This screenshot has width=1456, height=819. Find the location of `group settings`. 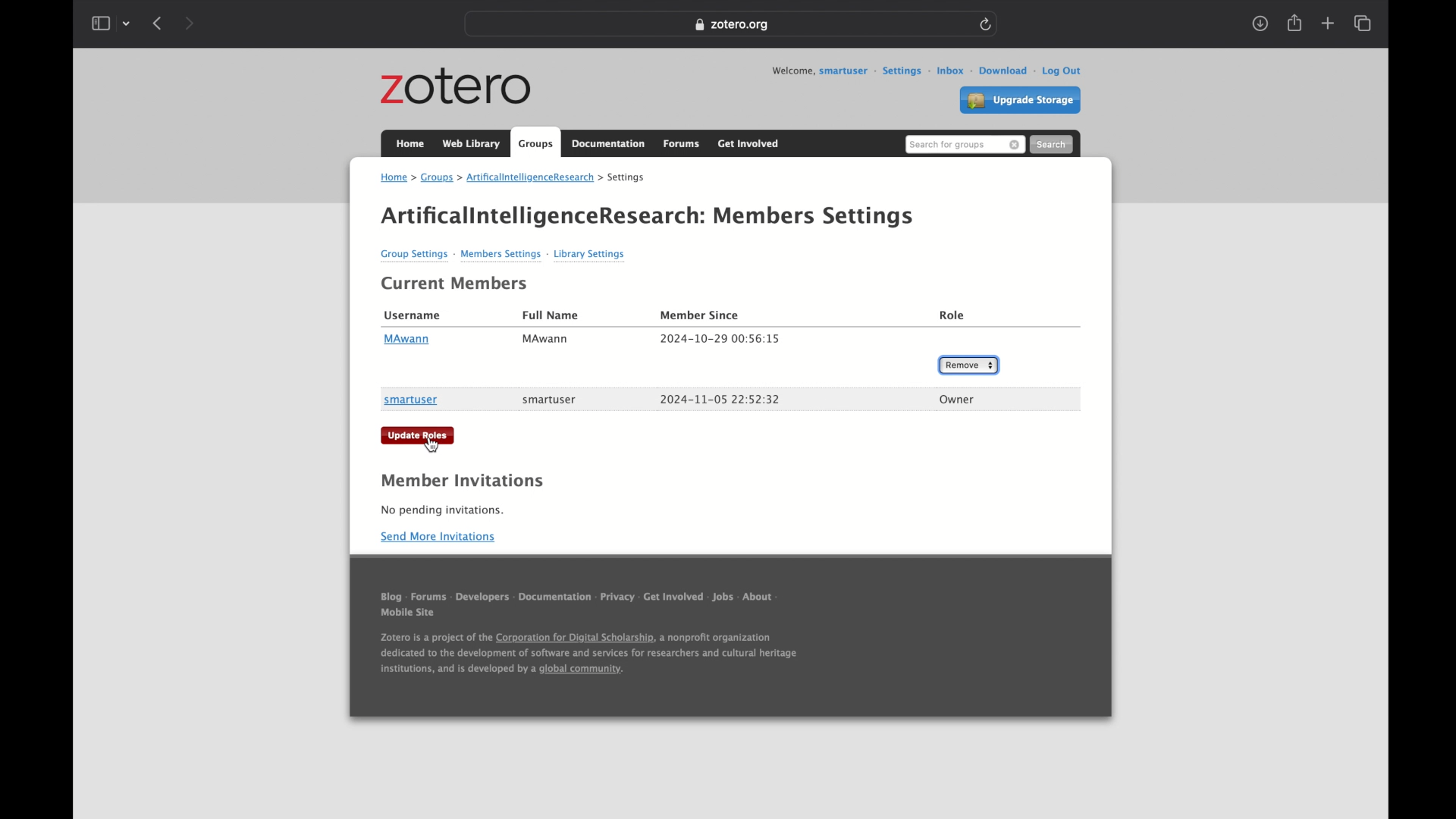

group settings is located at coordinates (416, 256).